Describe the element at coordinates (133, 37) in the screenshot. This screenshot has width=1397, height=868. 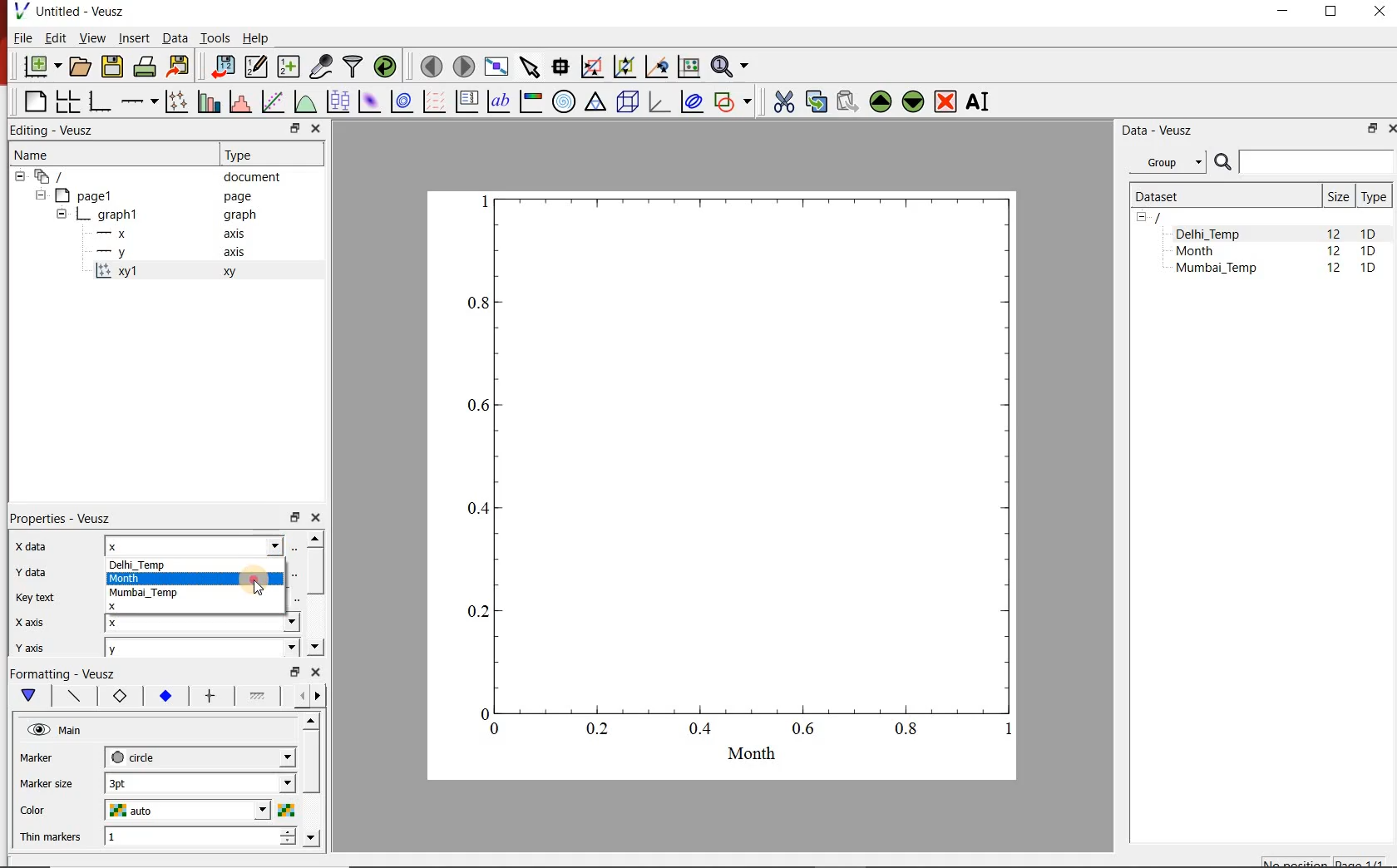
I see `Insert` at that location.